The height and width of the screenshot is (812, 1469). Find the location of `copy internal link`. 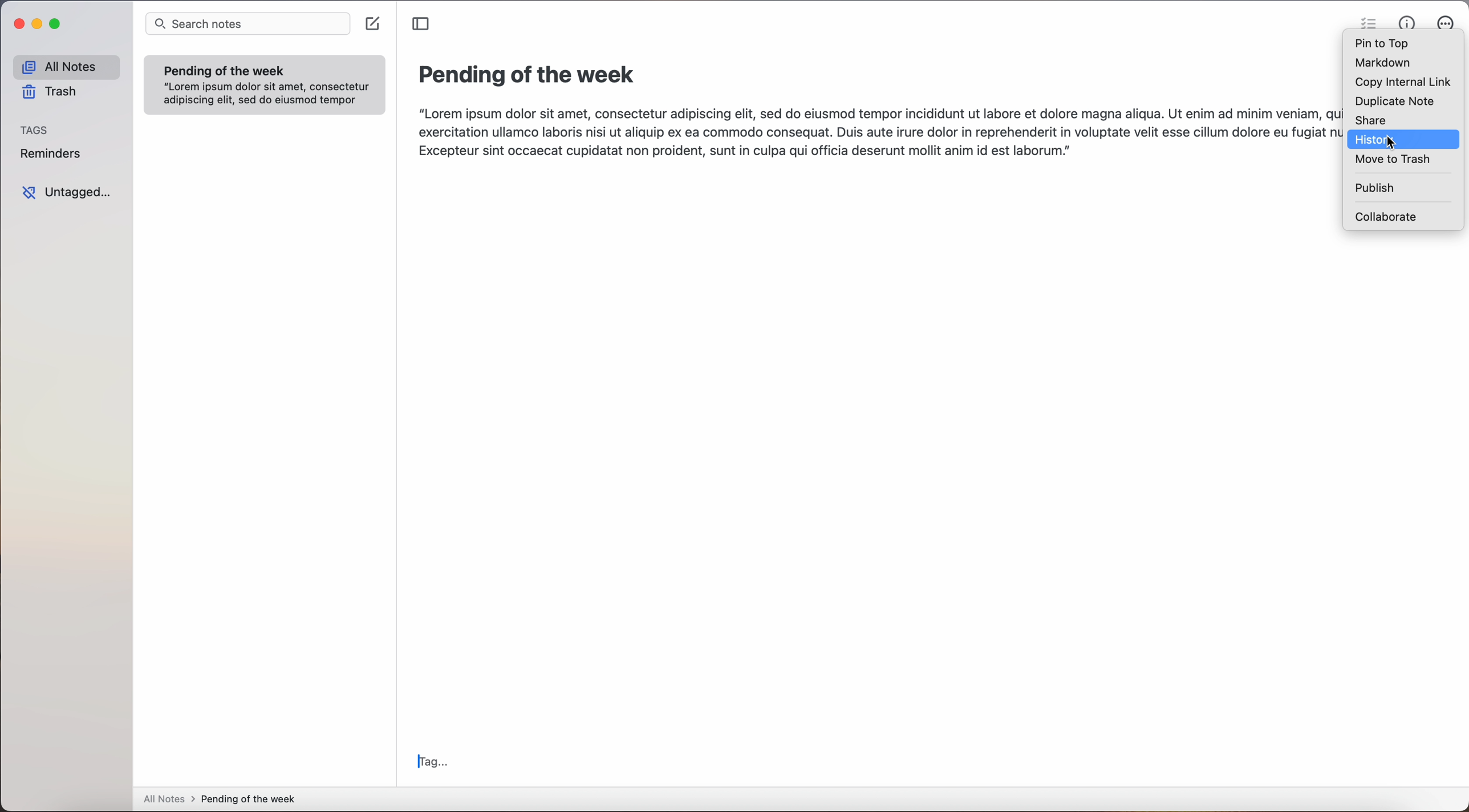

copy internal link is located at coordinates (1403, 82).